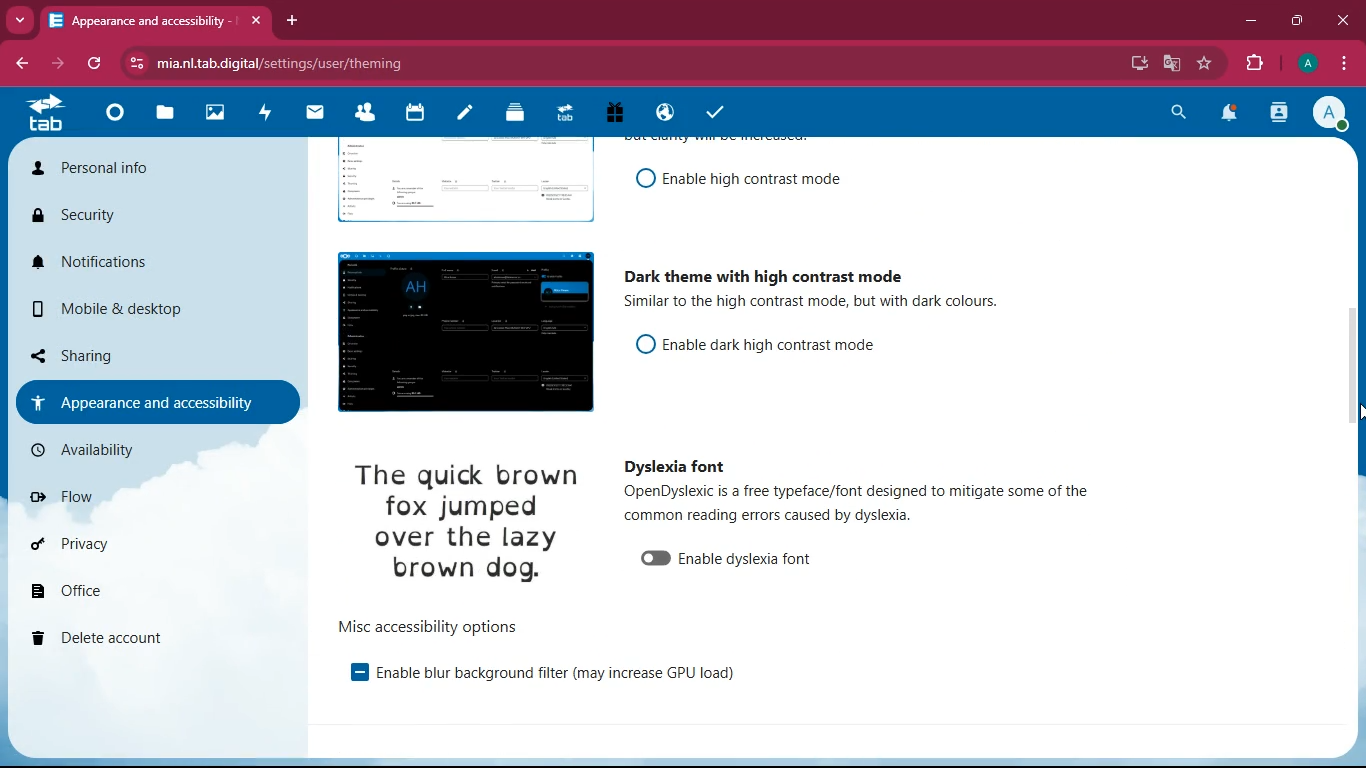 This screenshot has width=1366, height=768. I want to click on security, so click(136, 216).